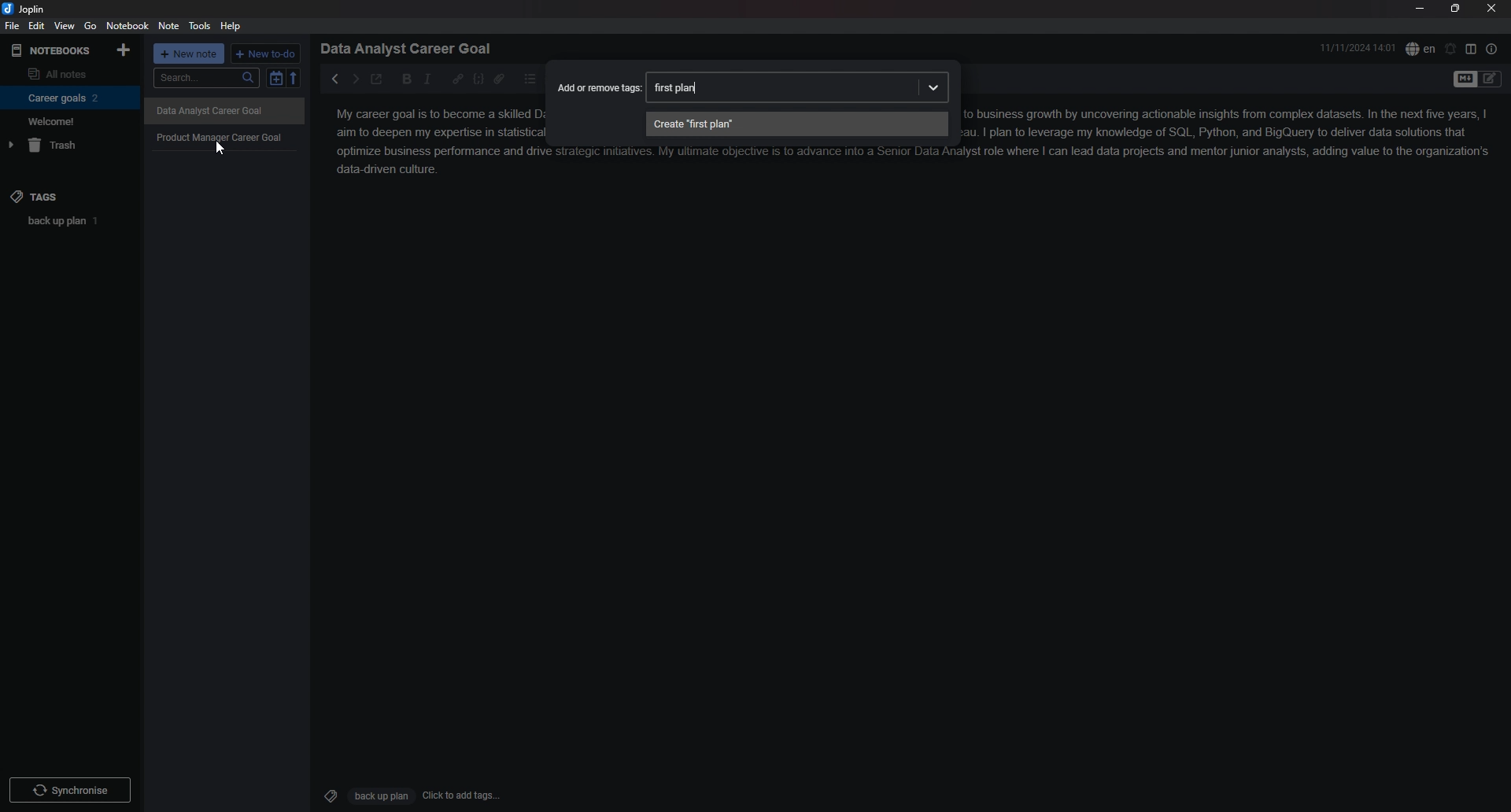  Describe the element at coordinates (66, 120) in the screenshot. I see `Welcome!` at that location.